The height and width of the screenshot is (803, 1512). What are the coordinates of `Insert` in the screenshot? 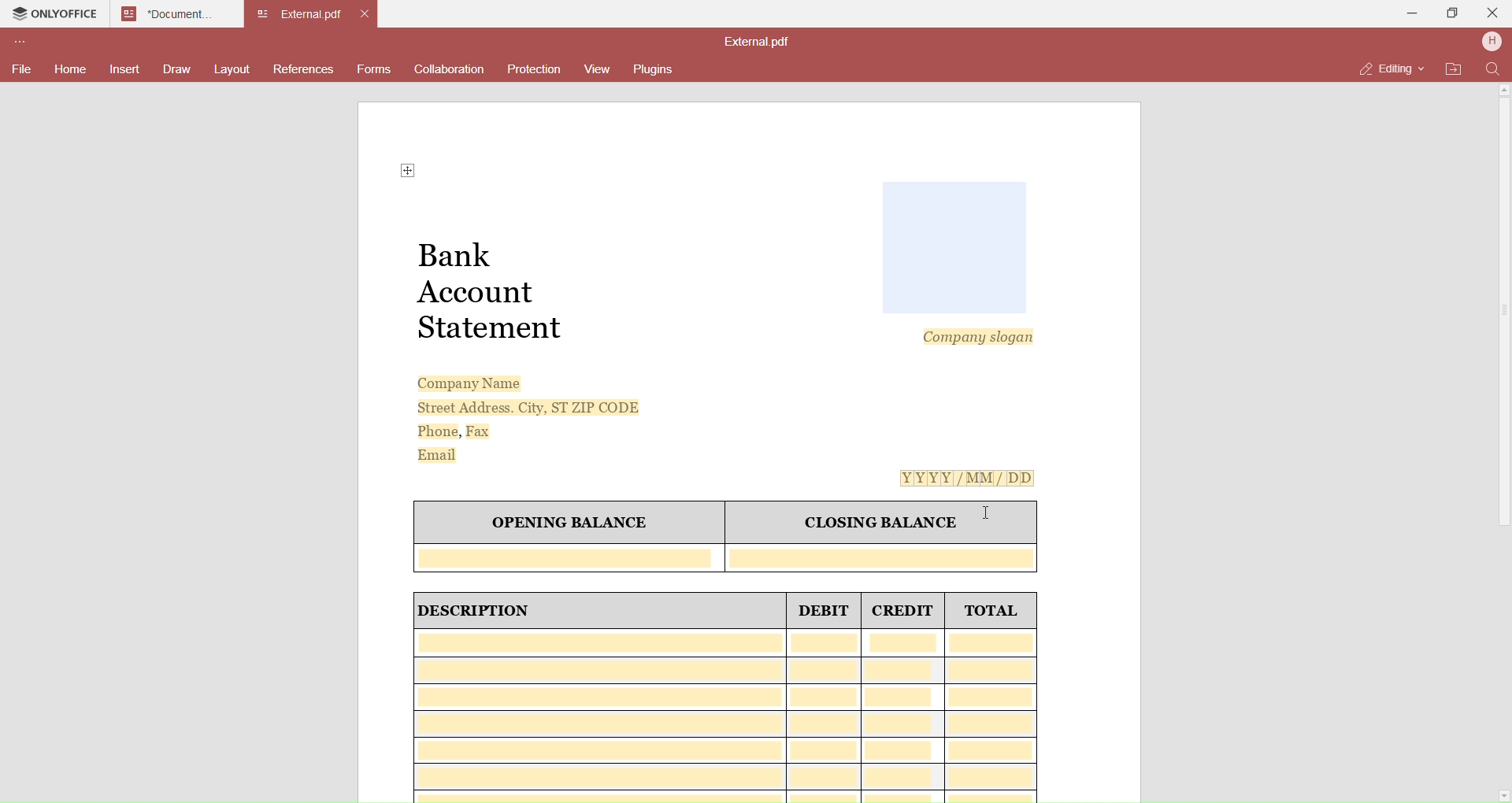 It's located at (127, 70).